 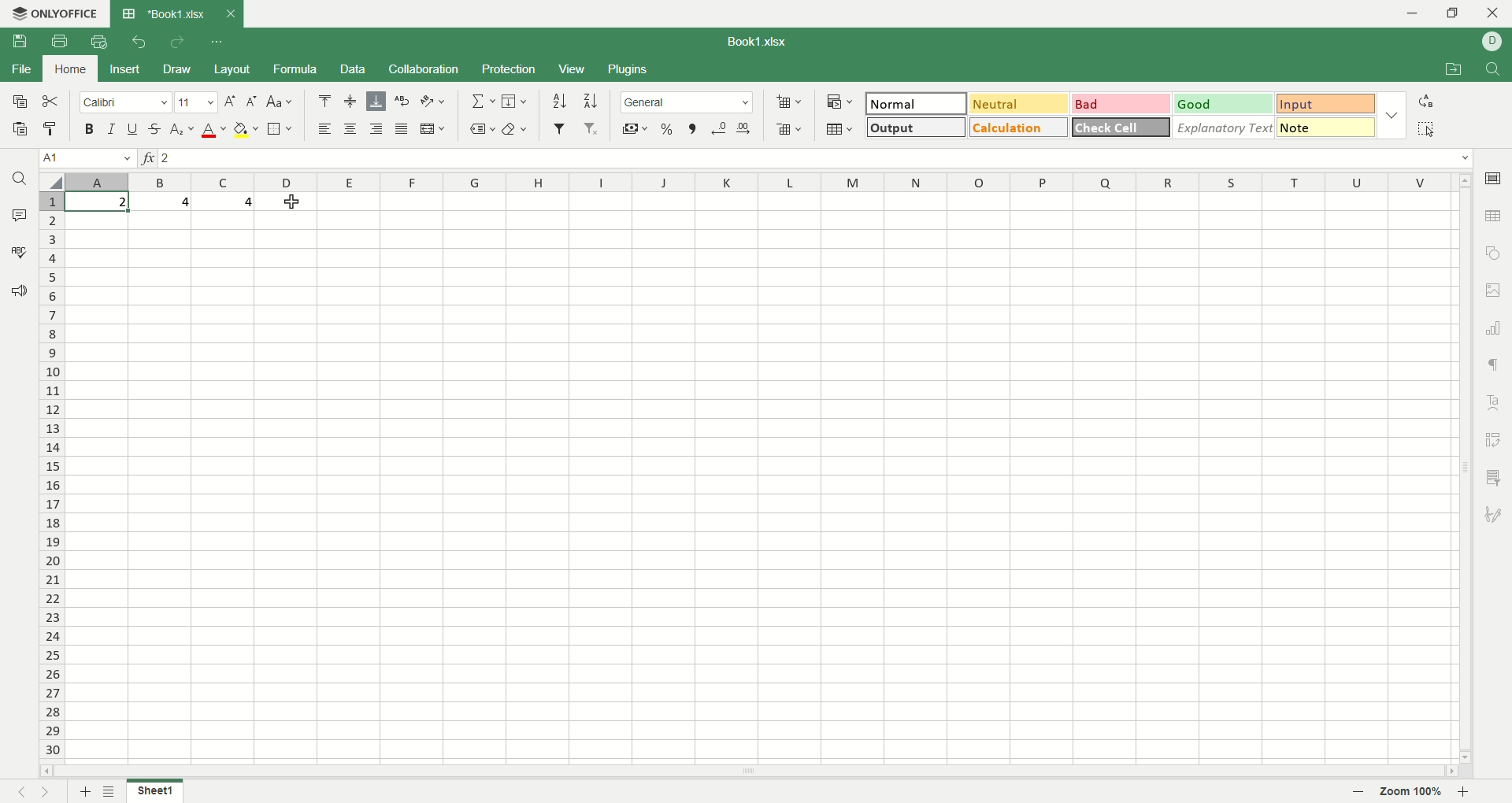 I want to click on align right, so click(x=379, y=129).